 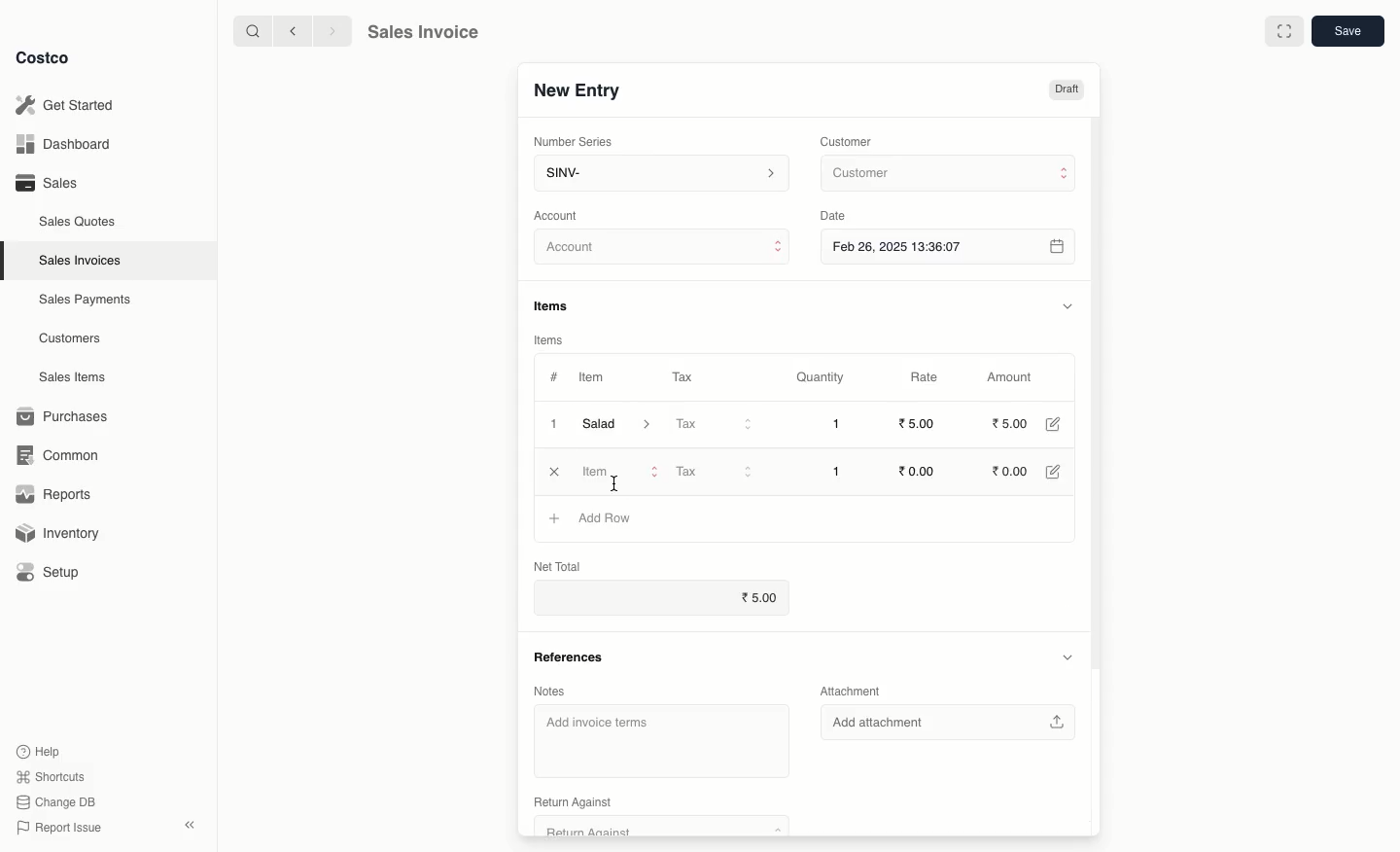 I want to click on Purchases, so click(x=67, y=416).